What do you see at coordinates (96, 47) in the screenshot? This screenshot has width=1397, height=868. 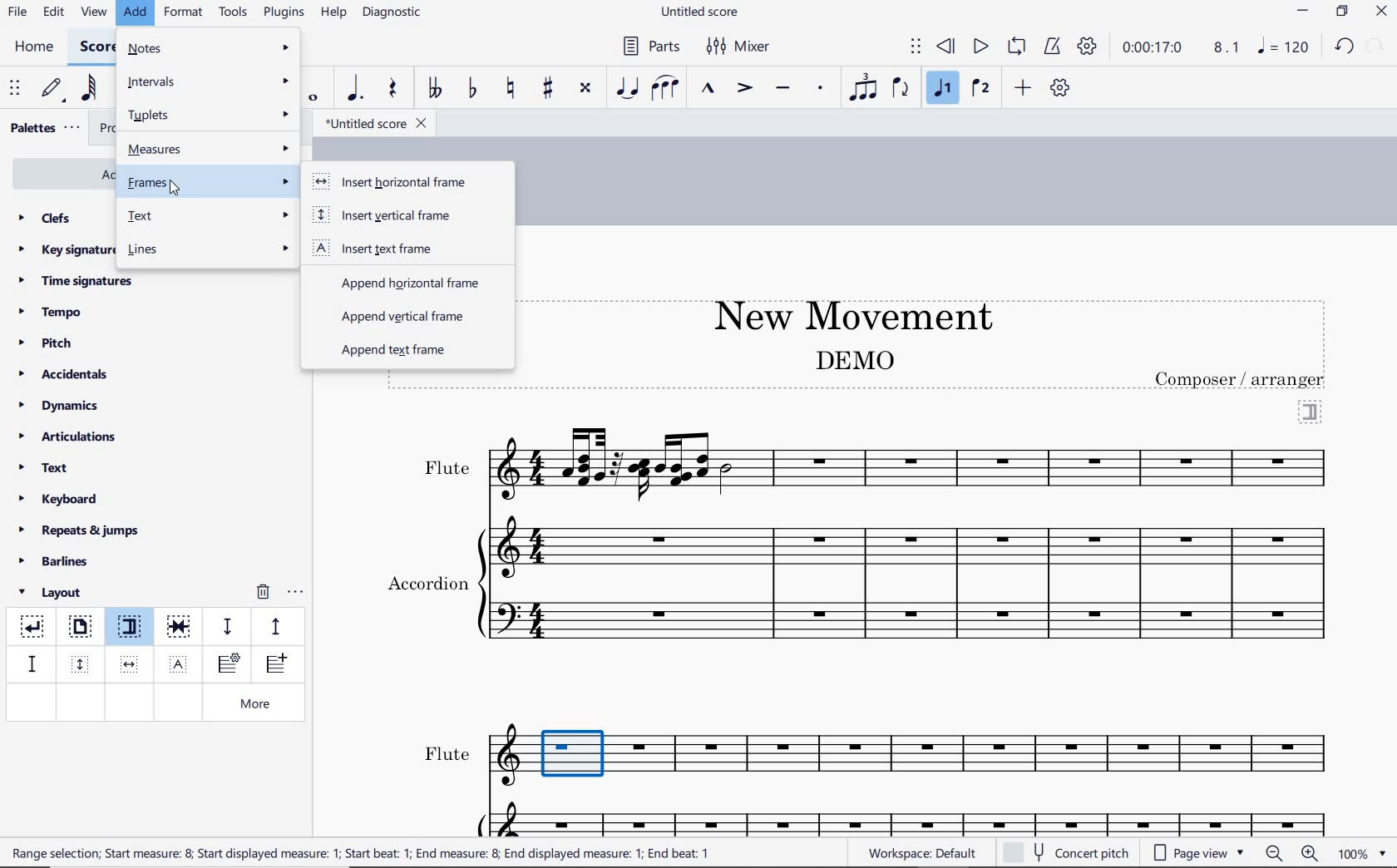 I see `score` at bounding box center [96, 47].